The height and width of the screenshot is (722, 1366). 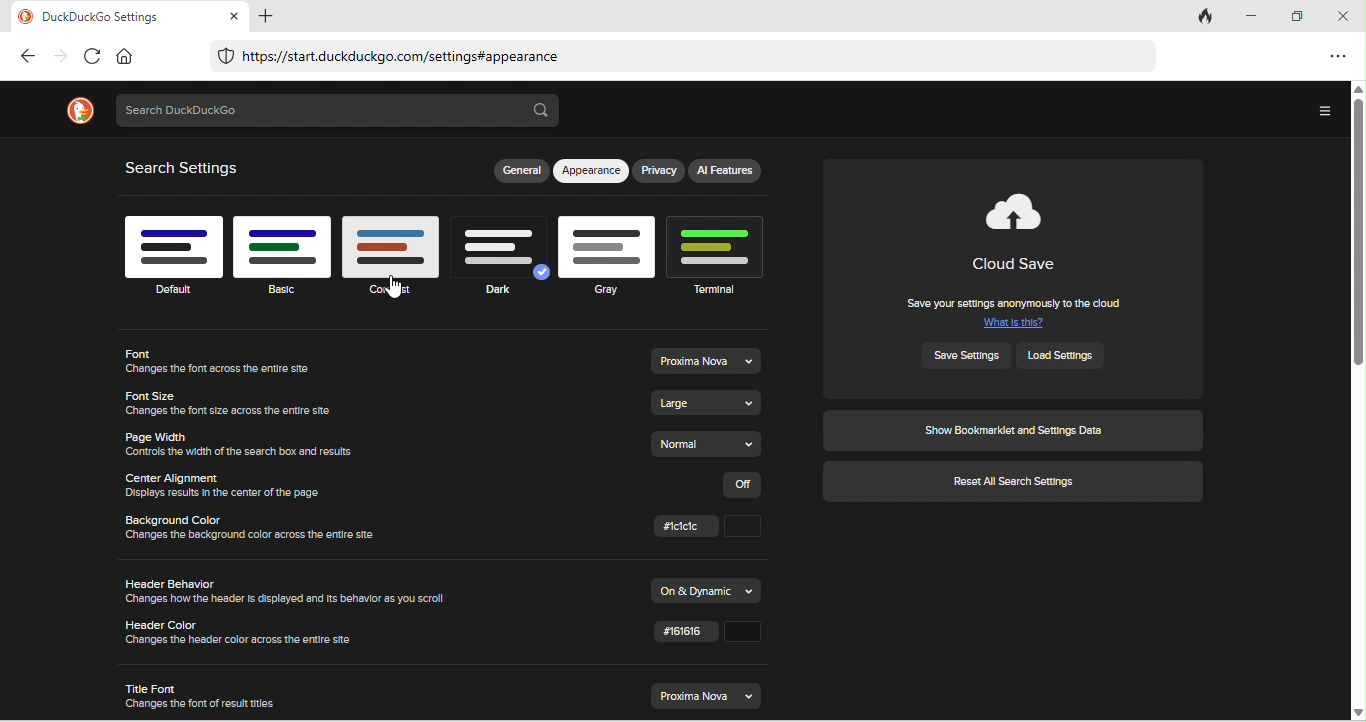 I want to click on title font, so click(x=202, y=694).